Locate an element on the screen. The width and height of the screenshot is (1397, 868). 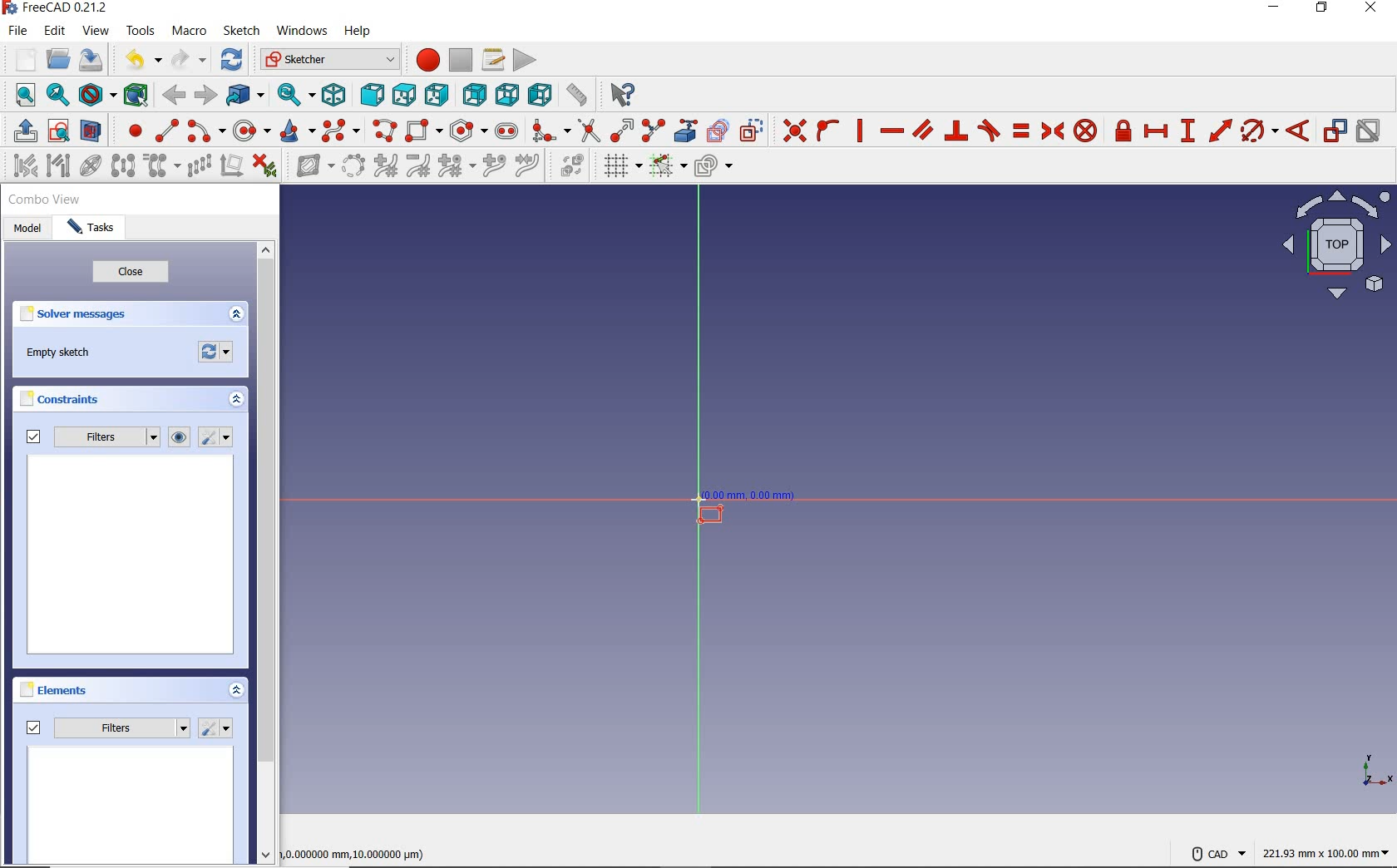
select associated constraints is located at coordinates (19, 165).